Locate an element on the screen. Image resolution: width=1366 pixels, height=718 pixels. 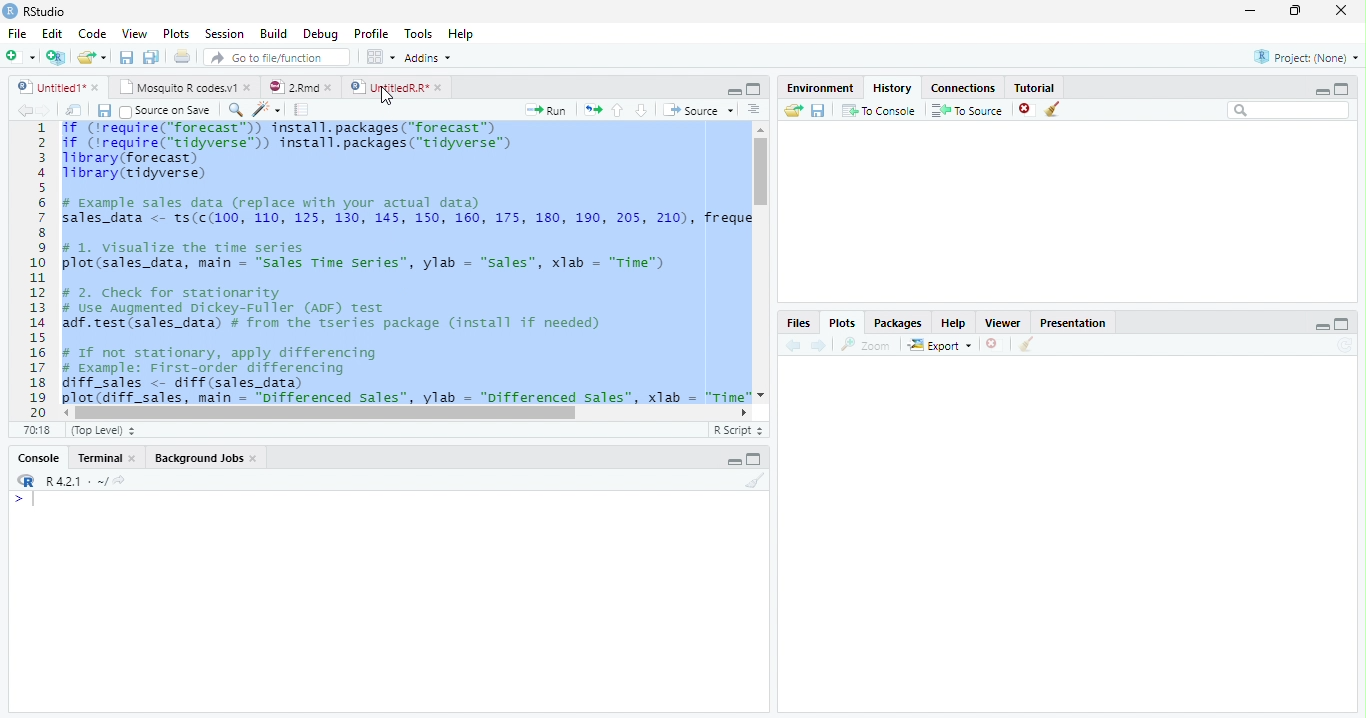
Save is located at coordinates (125, 56).